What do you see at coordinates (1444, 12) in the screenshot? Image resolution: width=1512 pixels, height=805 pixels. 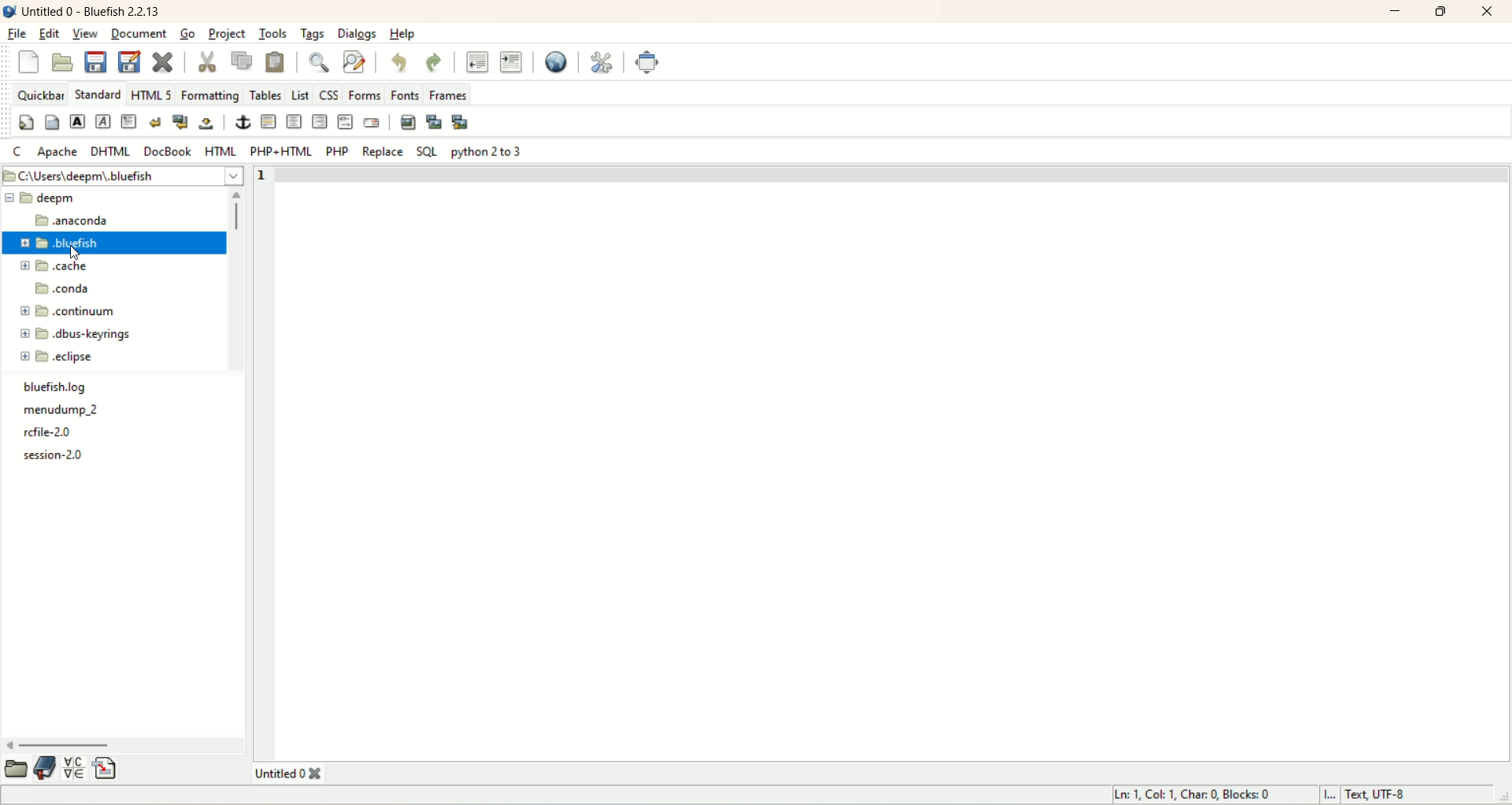 I see `maximize` at bounding box center [1444, 12].